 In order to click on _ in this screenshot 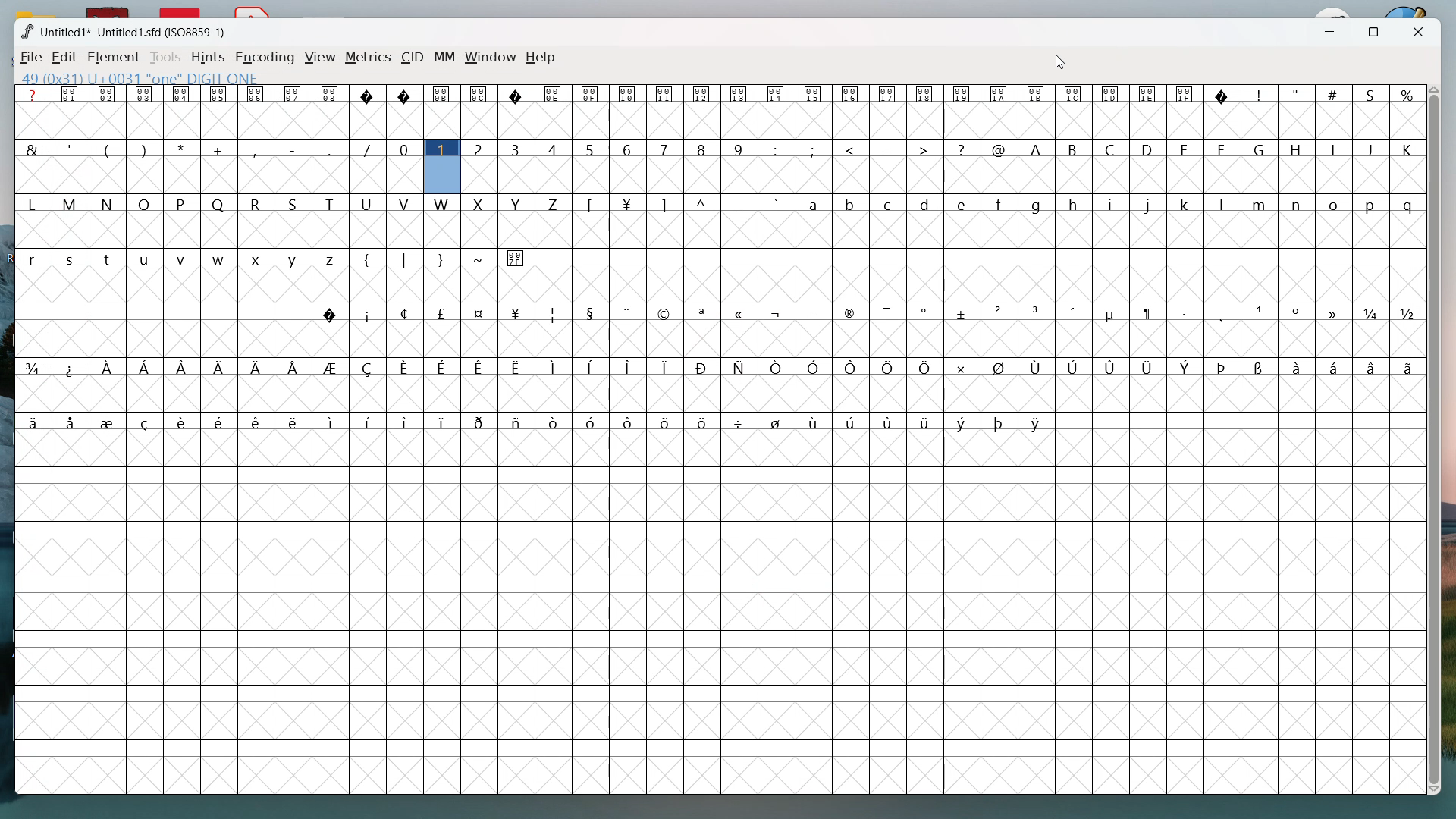, I will do `click(334, 149)`.